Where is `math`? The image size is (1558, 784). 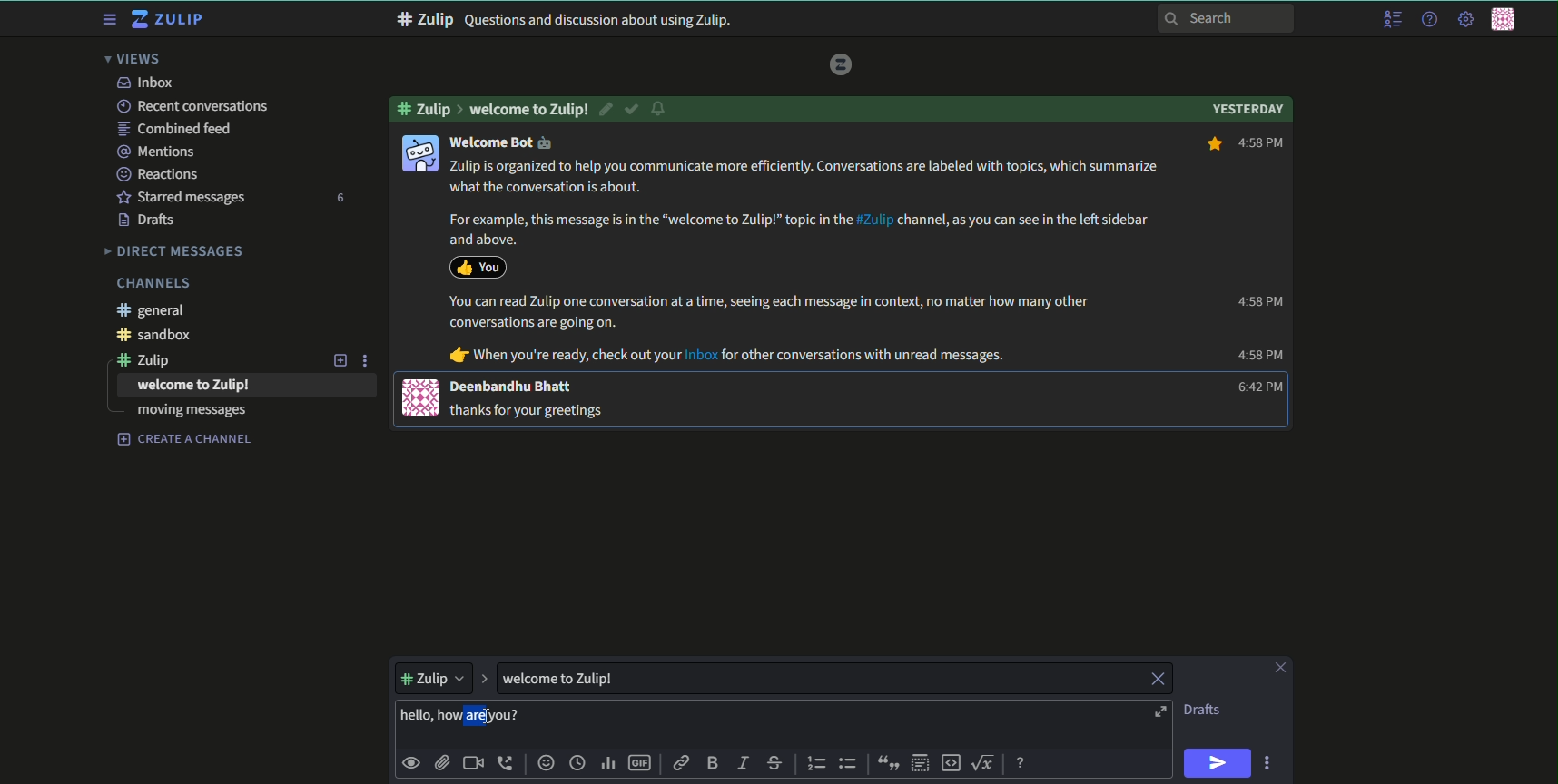
math is located at coordinates (986, 761).